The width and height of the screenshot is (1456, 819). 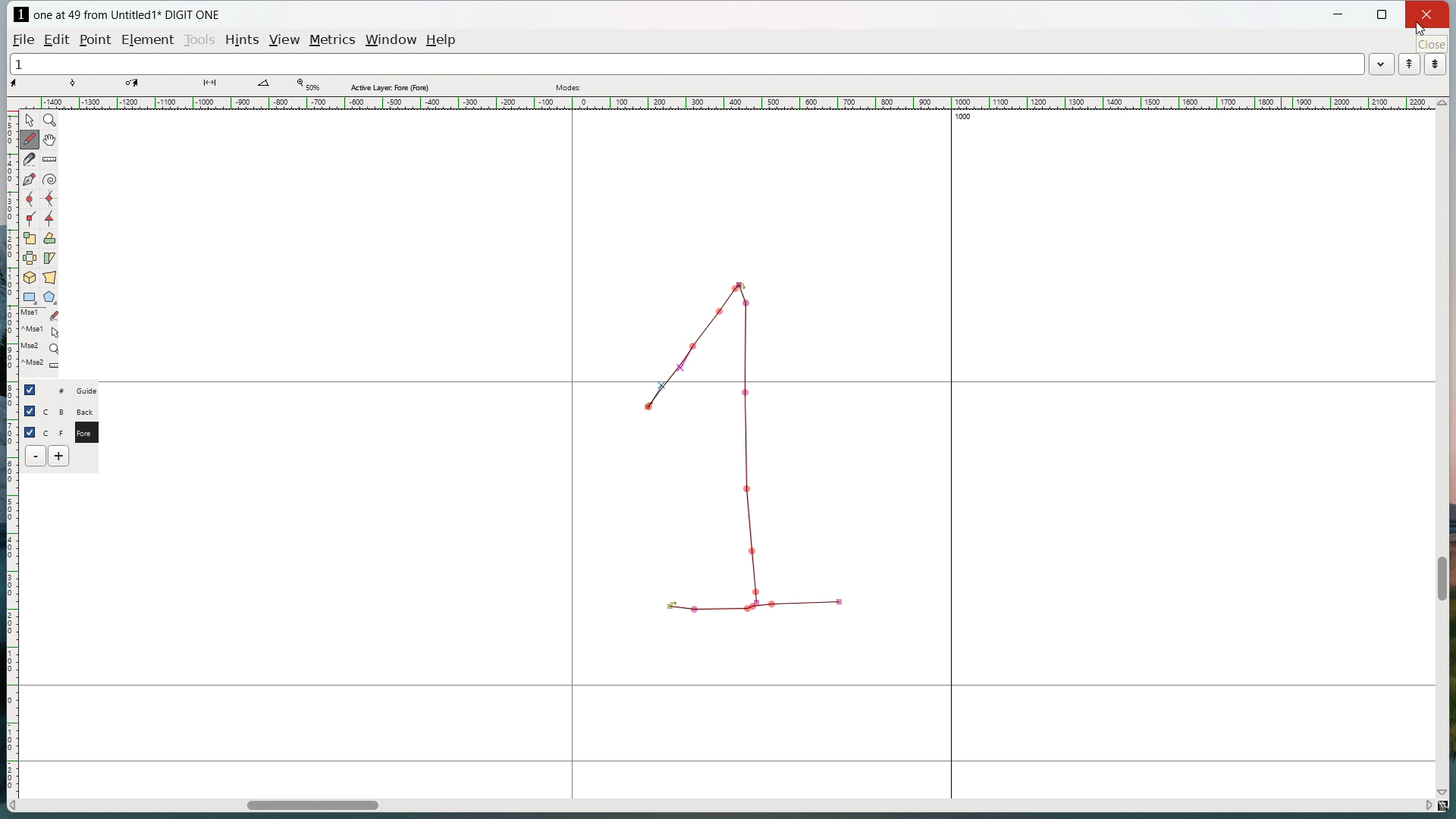 I want to click on scroll right, so click(x=1426, y=804).